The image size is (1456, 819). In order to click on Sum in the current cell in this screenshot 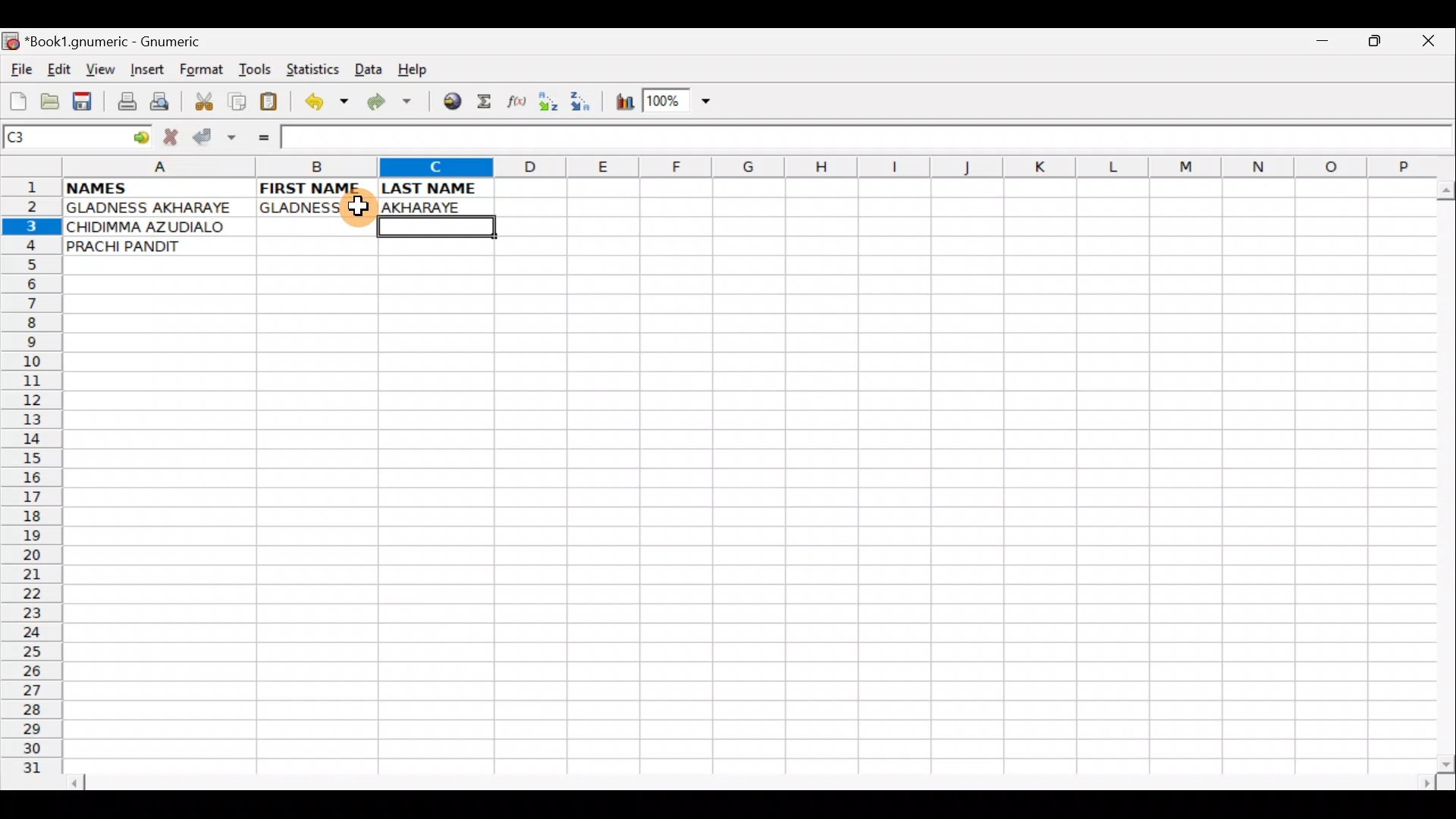, I will do `click(489, 102)`.